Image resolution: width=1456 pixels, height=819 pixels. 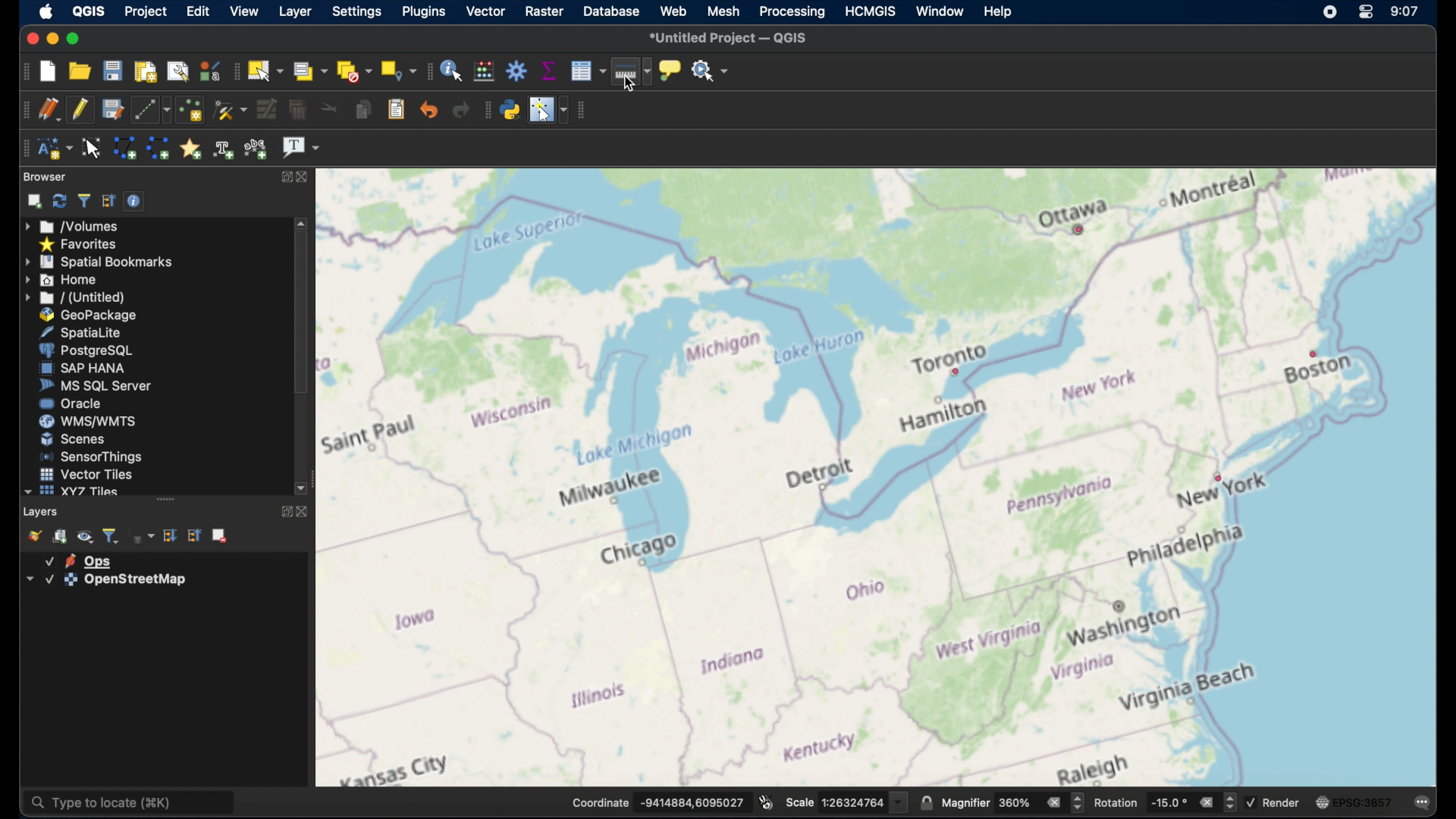 I want to click on current edits, so click(x=49, y=109).